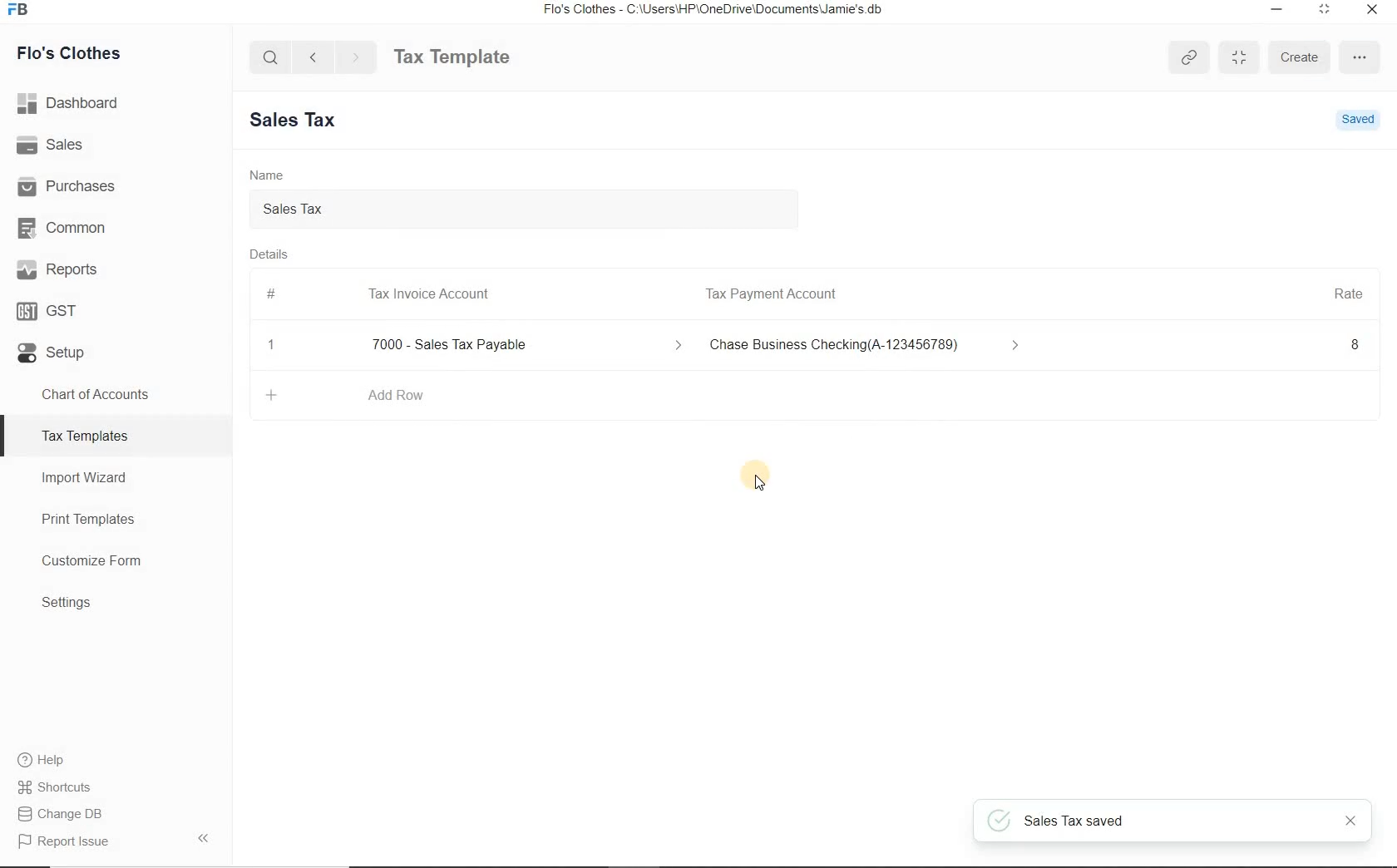  I want to click on New Entry, so click(299, 121).